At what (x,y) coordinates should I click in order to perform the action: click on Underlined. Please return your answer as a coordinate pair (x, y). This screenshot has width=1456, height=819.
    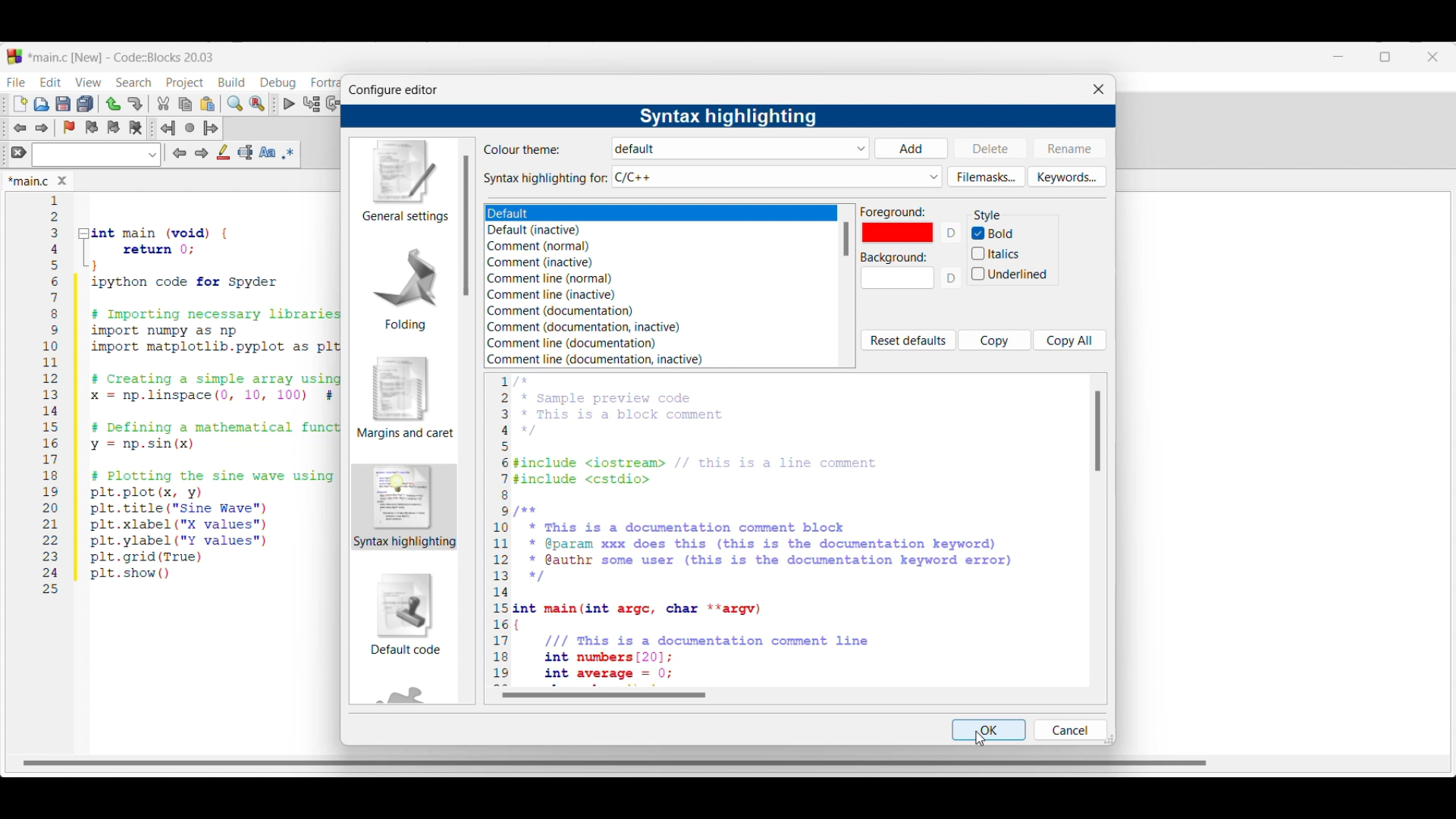
    Looking at the image, I should click on (1012, 275).